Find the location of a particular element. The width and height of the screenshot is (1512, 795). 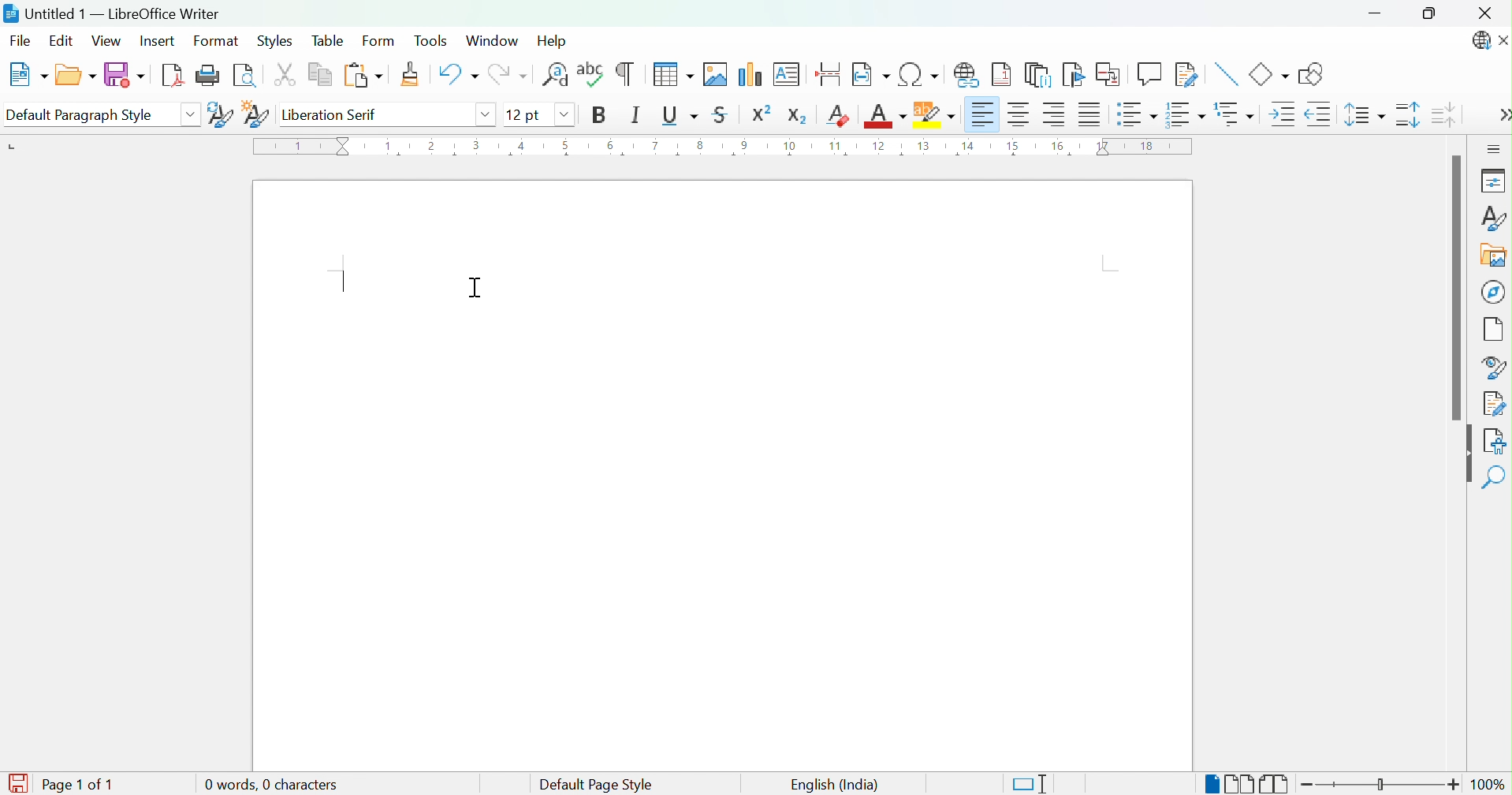

Redo is located at coordinates (507, 76).